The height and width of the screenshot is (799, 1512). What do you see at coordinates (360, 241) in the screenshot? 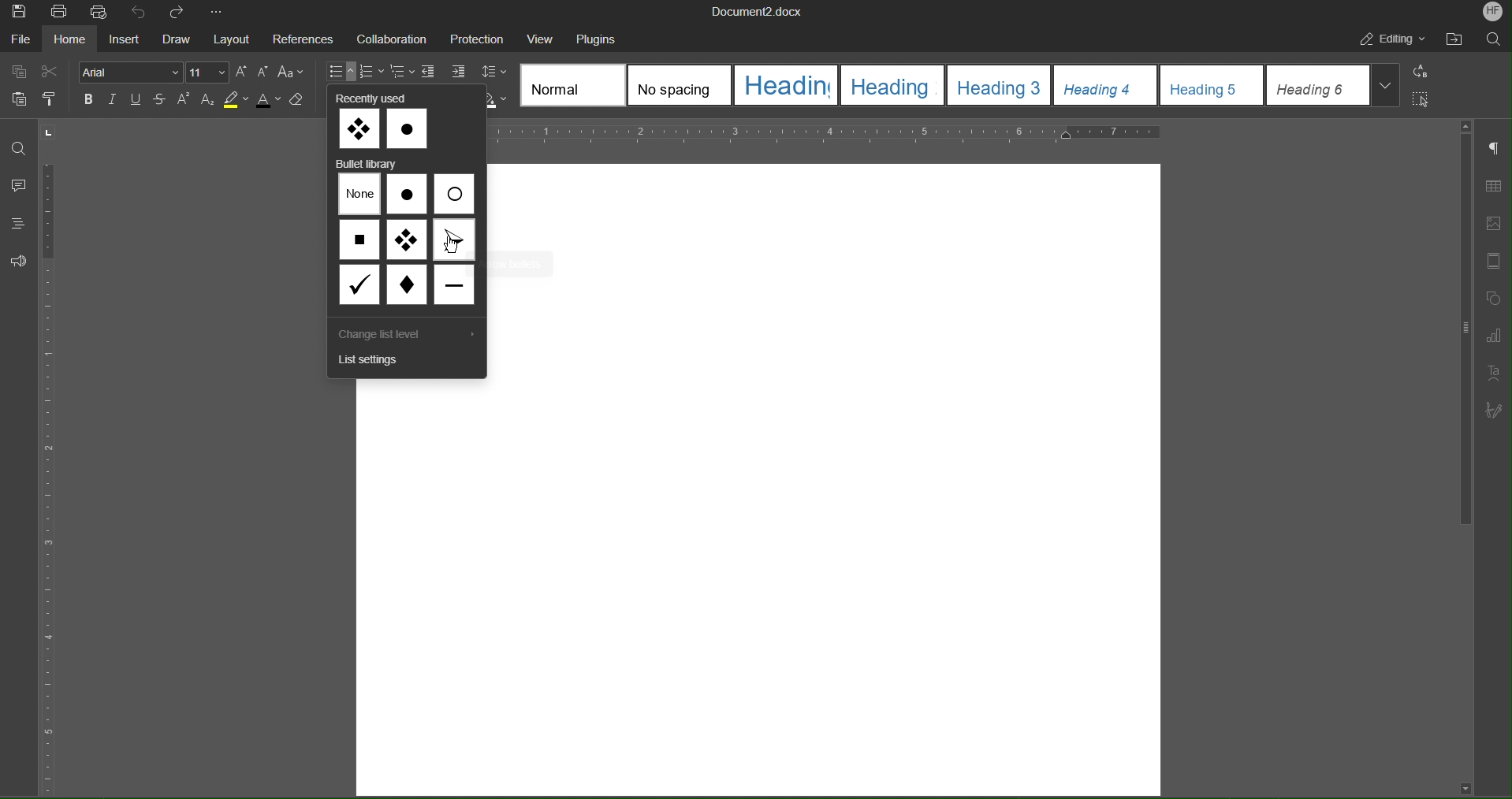
I see `Square` at bounding box center [360, 241].